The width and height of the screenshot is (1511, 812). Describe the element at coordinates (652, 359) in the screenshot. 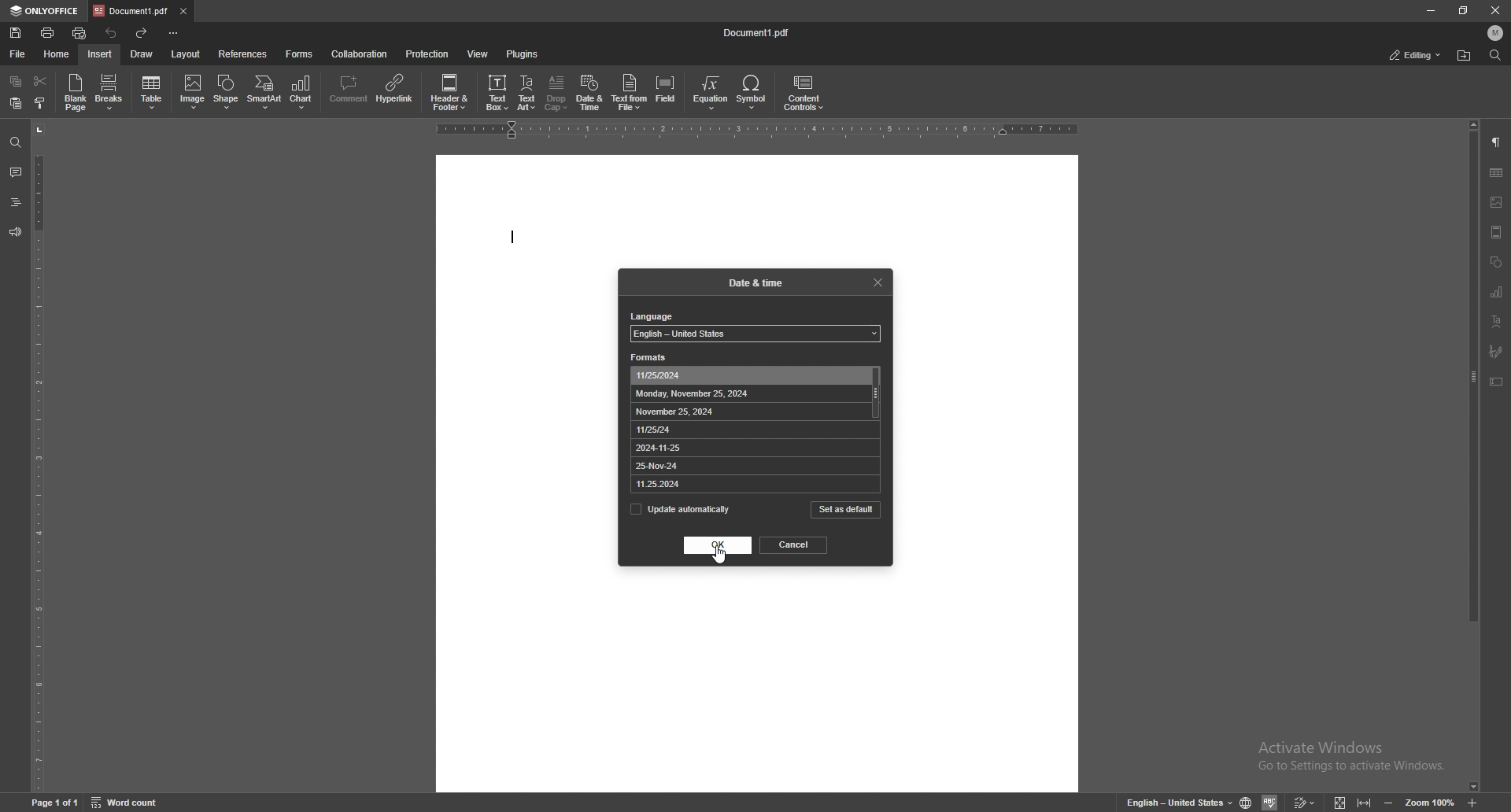

I see `formats` at that location.